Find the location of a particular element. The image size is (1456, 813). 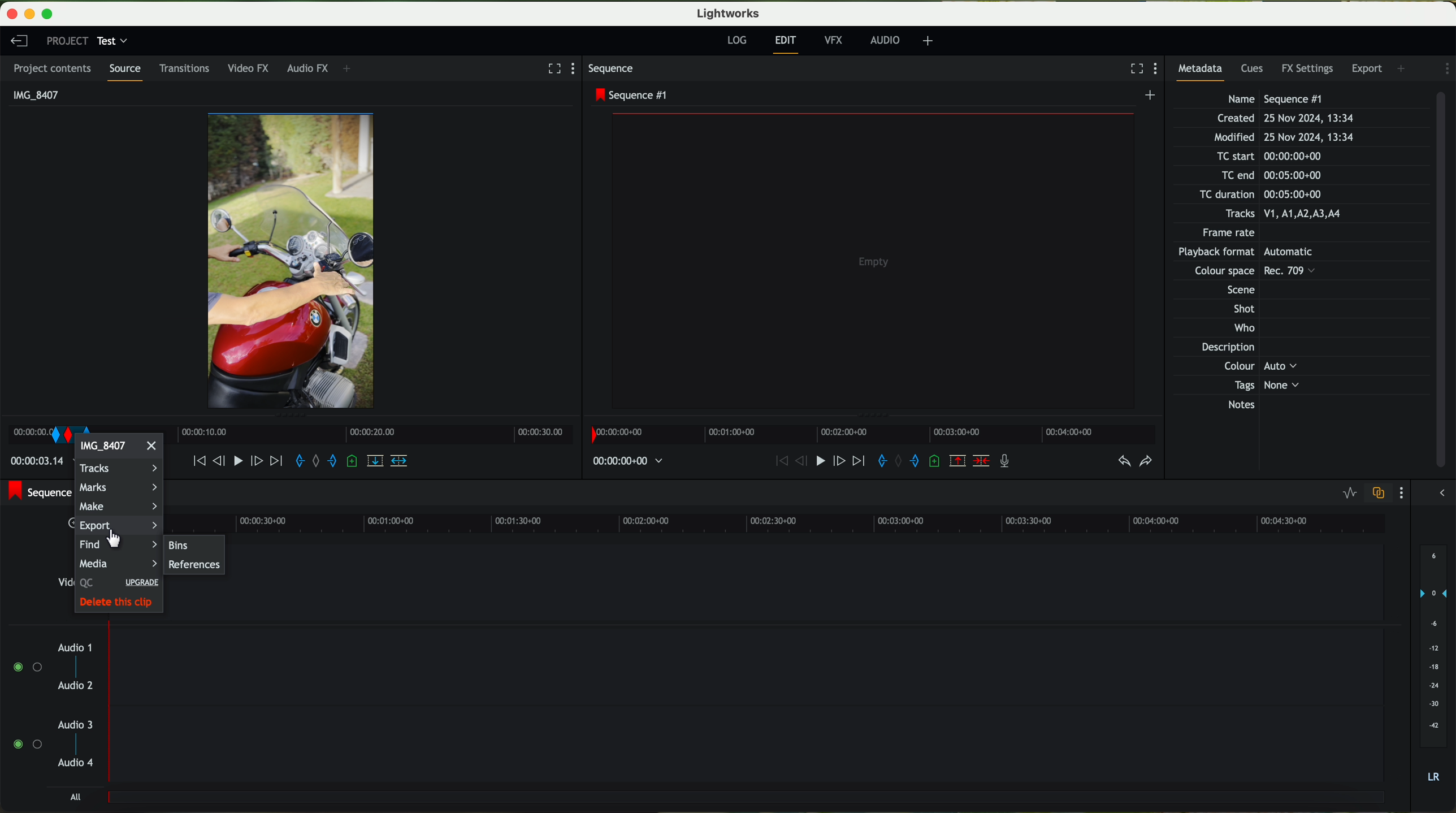

VFX is located at coordinates (836, 42).